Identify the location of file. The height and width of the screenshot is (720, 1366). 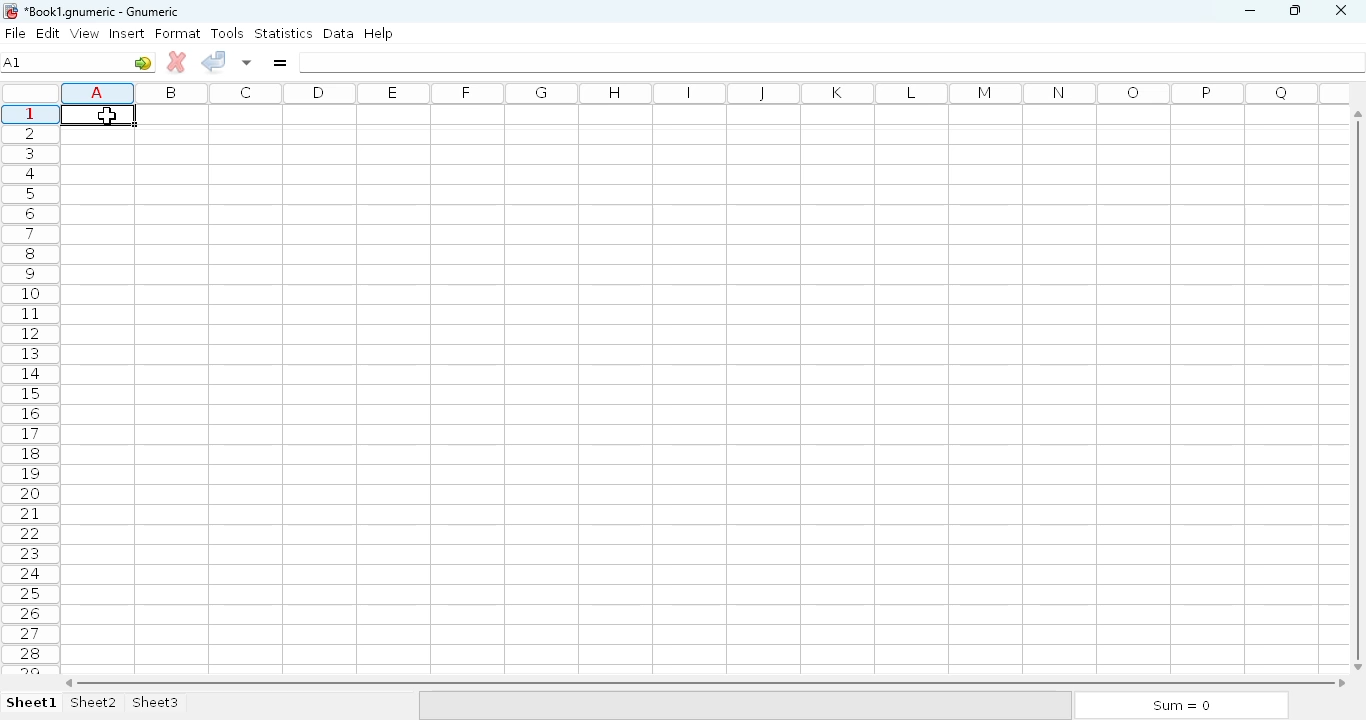
(15, 33).